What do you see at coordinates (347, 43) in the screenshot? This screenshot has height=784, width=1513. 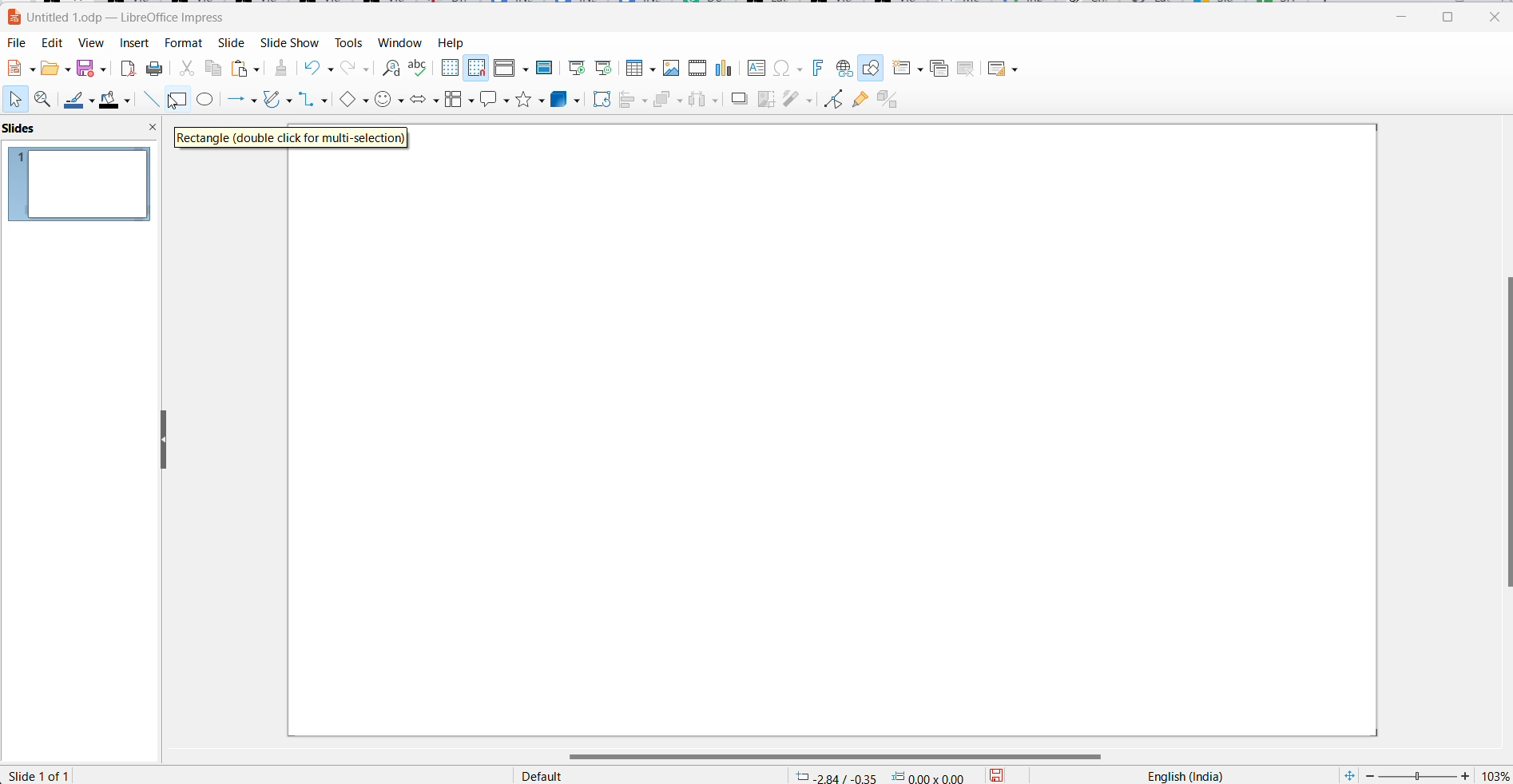 I see `Tools` at bounding box center [347, 43].